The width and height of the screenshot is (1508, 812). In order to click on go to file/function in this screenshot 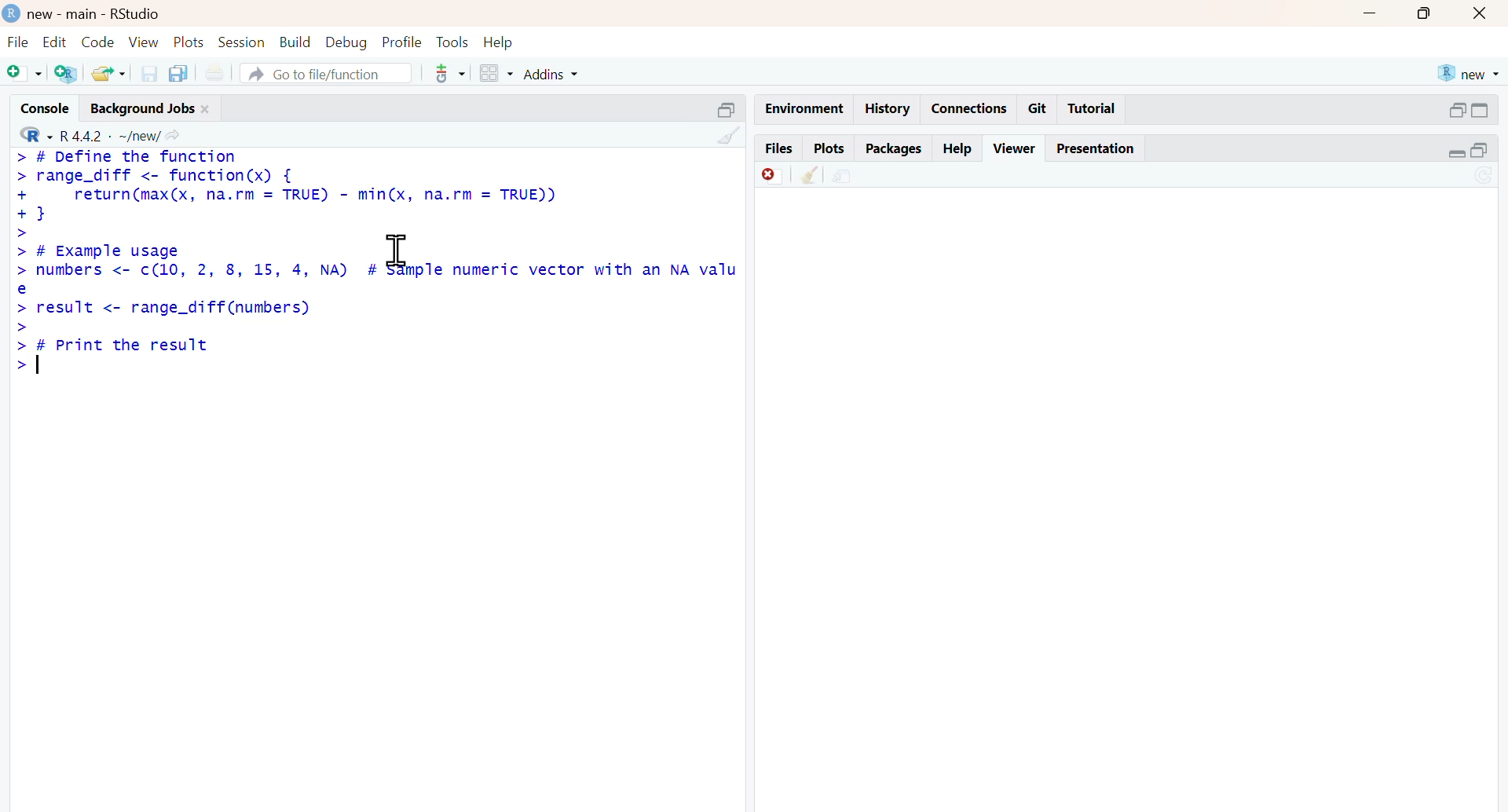, I will do `click(327, 75)`.